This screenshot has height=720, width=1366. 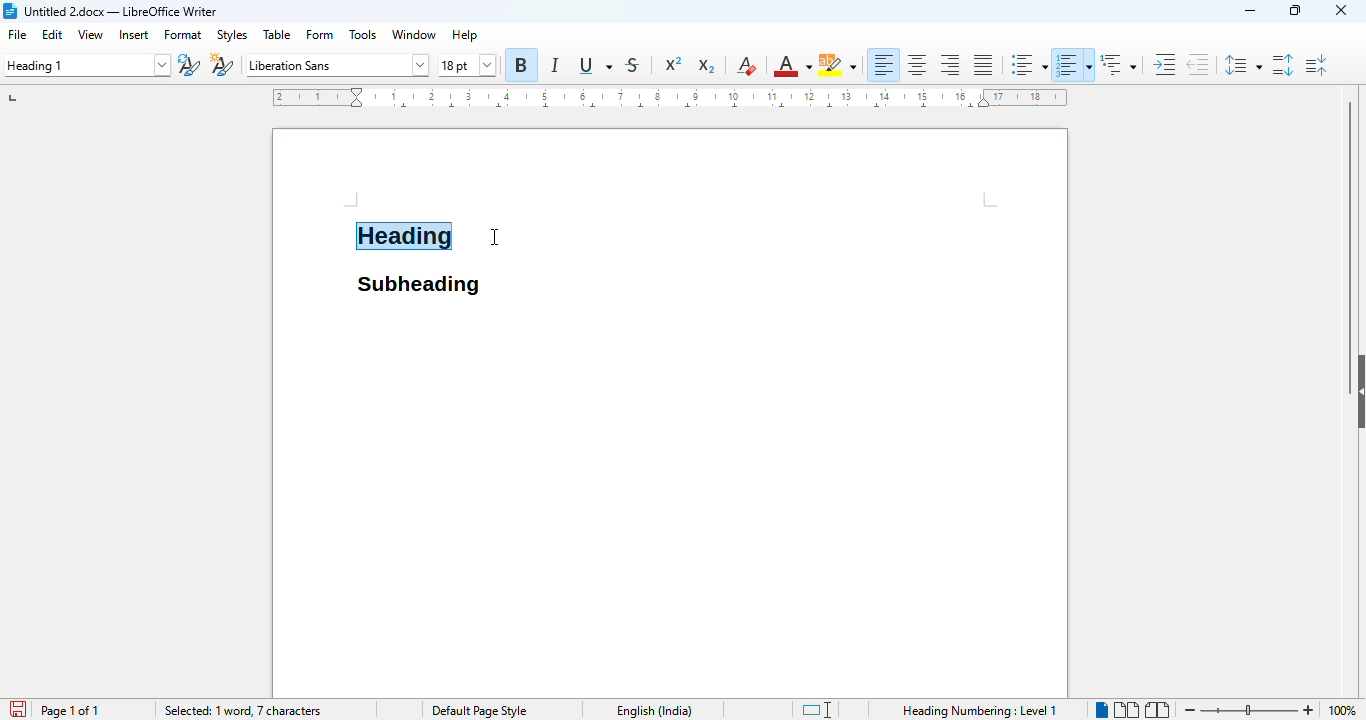 I want to click on close, so click(x=1341, y=9).